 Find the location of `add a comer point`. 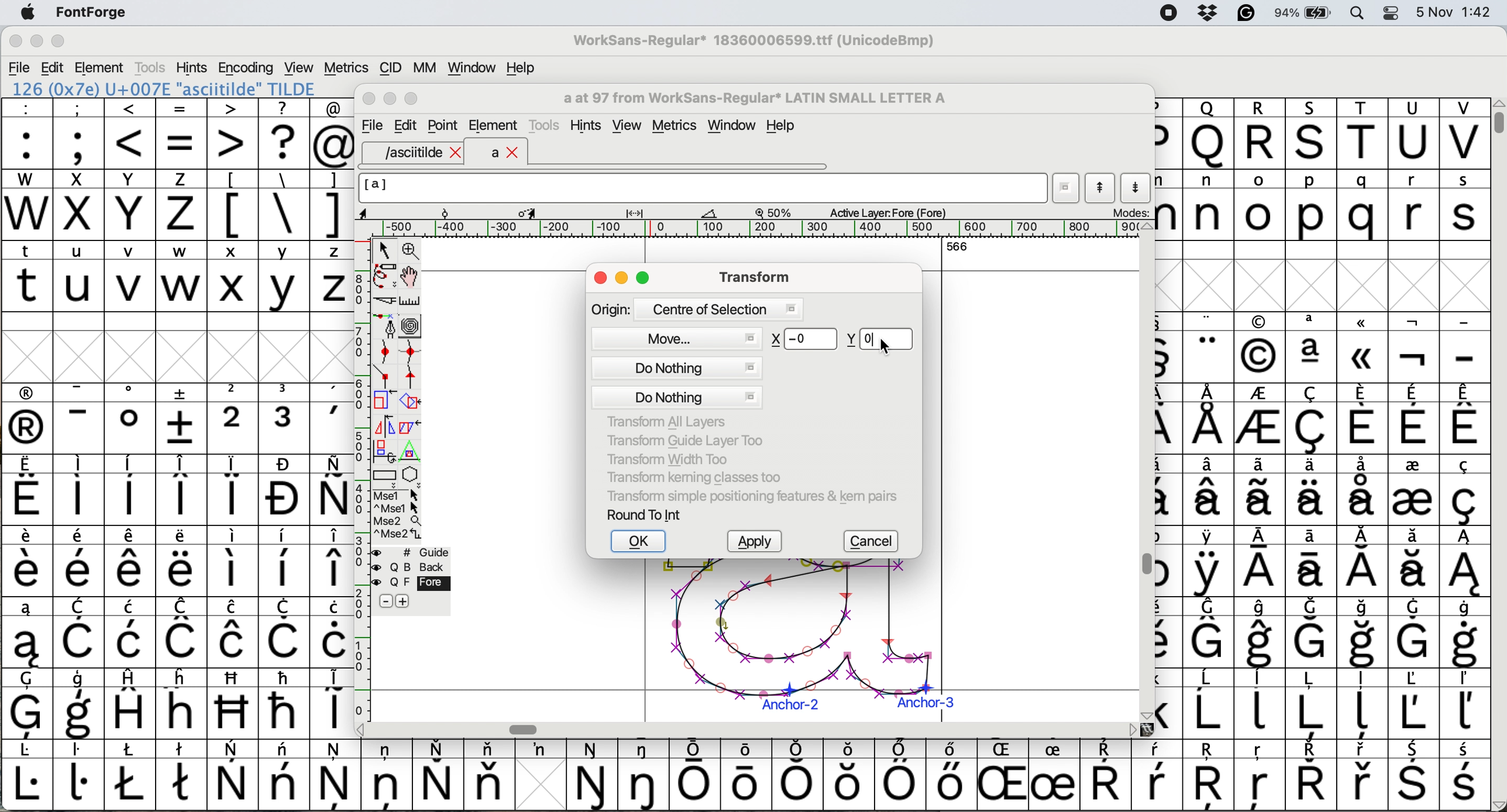

add a comer point is located at coordinates (386, 376).